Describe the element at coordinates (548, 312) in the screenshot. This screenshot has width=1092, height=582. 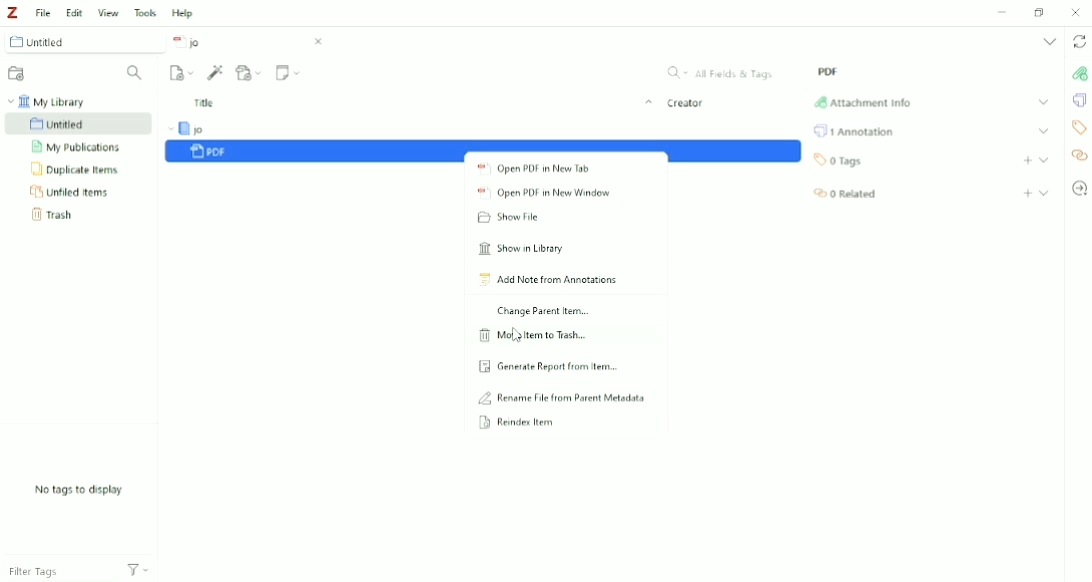
I see `Change Parent Item` at that location.